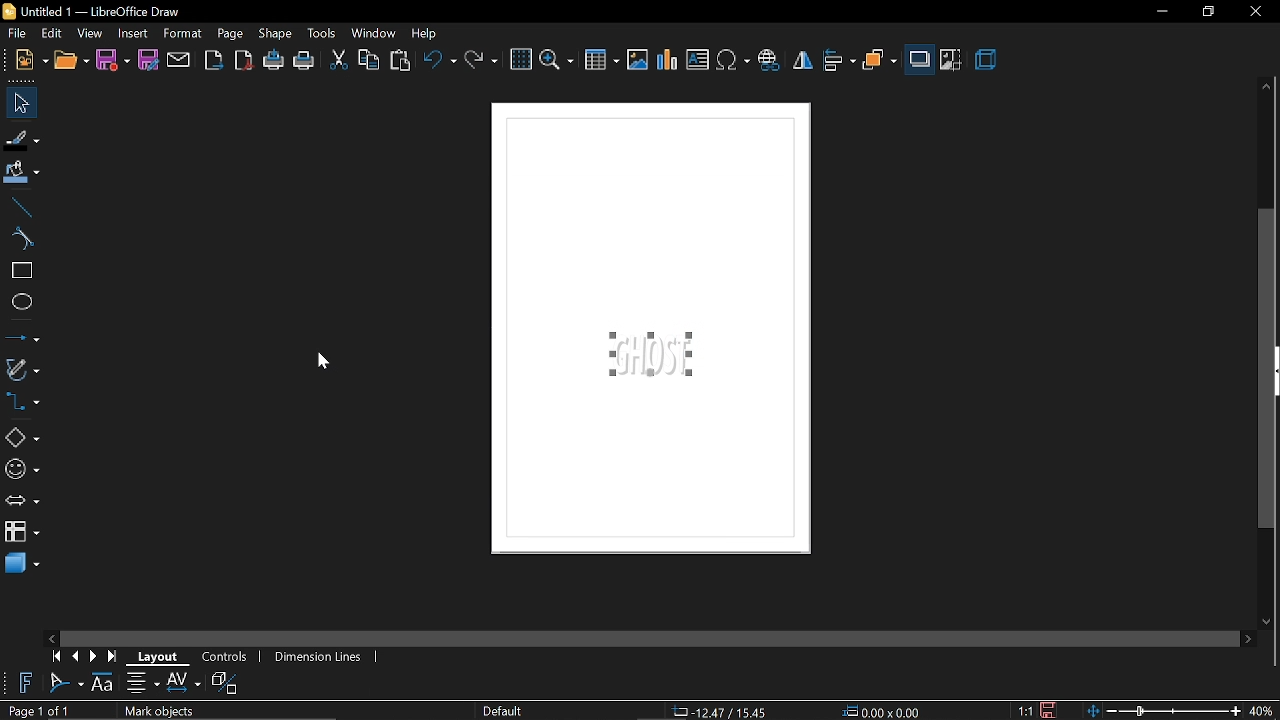 The width and height of the screenshot is (1280, 720). Describe the element at coordinates (18, 206) in the screenshot. I see `line` at that location.